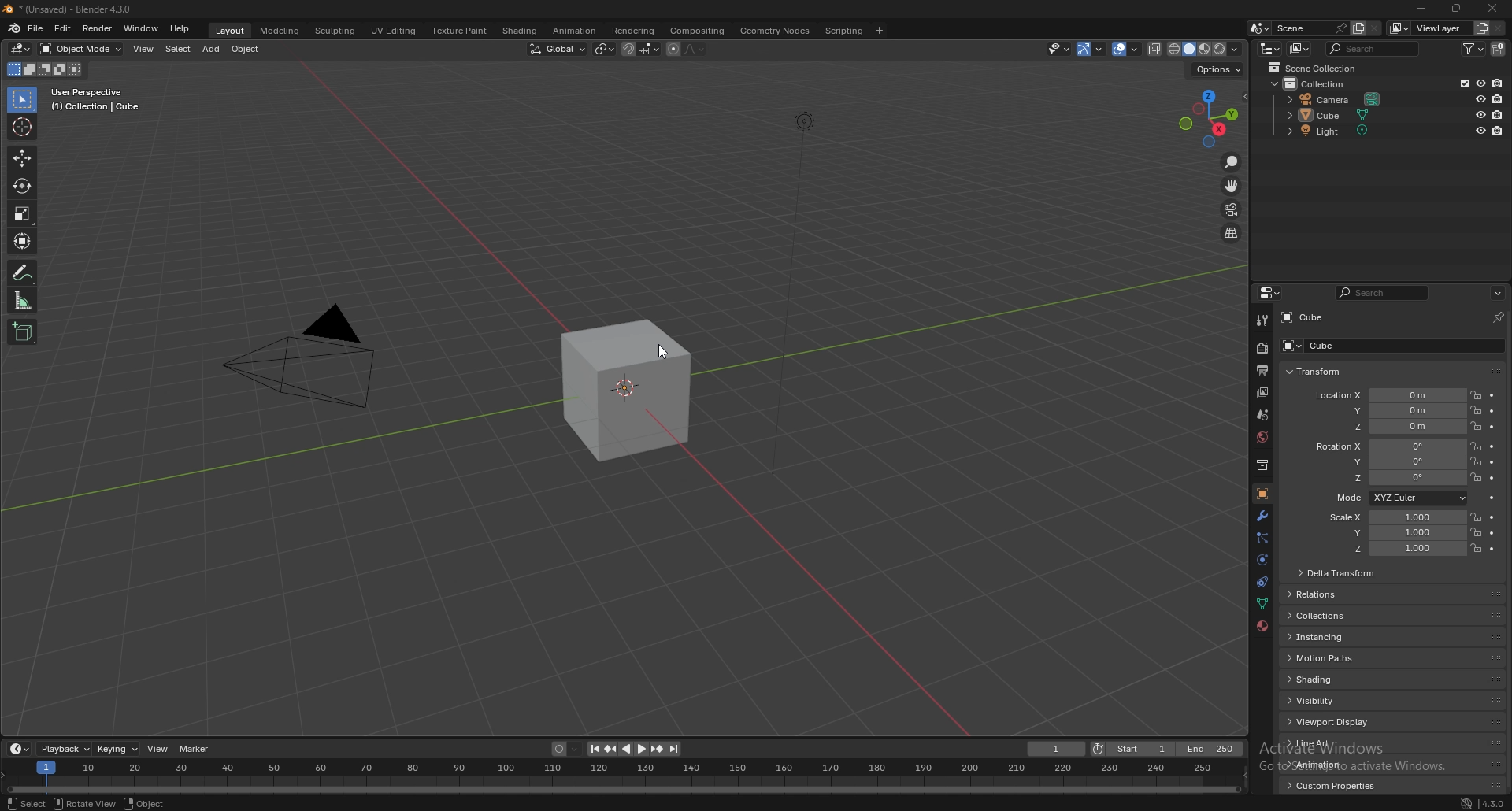 This screenshot has width=1512, height=811. Describe the element at coordinates (246, 49) in the screenshot. I see `object` at that location.